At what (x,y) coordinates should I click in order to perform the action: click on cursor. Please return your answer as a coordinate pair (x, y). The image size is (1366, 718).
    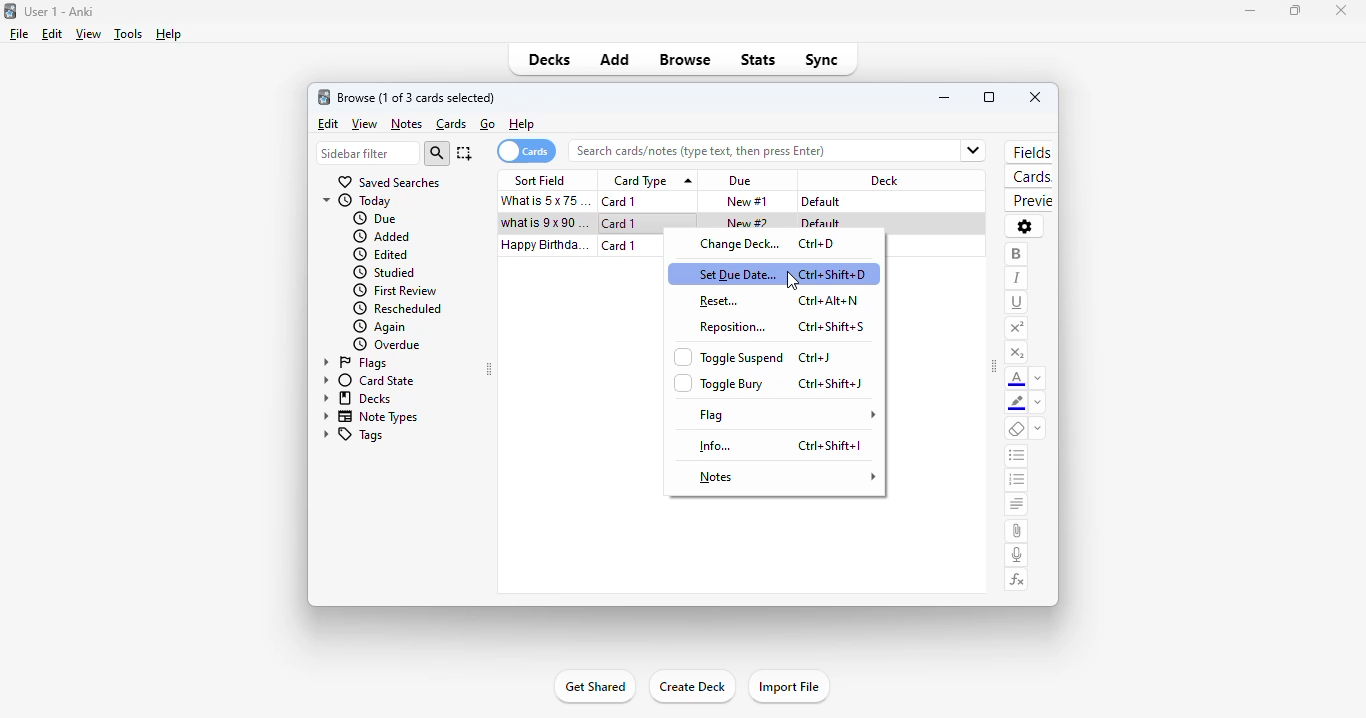
    Looking at the image, I should click on (792, 281).